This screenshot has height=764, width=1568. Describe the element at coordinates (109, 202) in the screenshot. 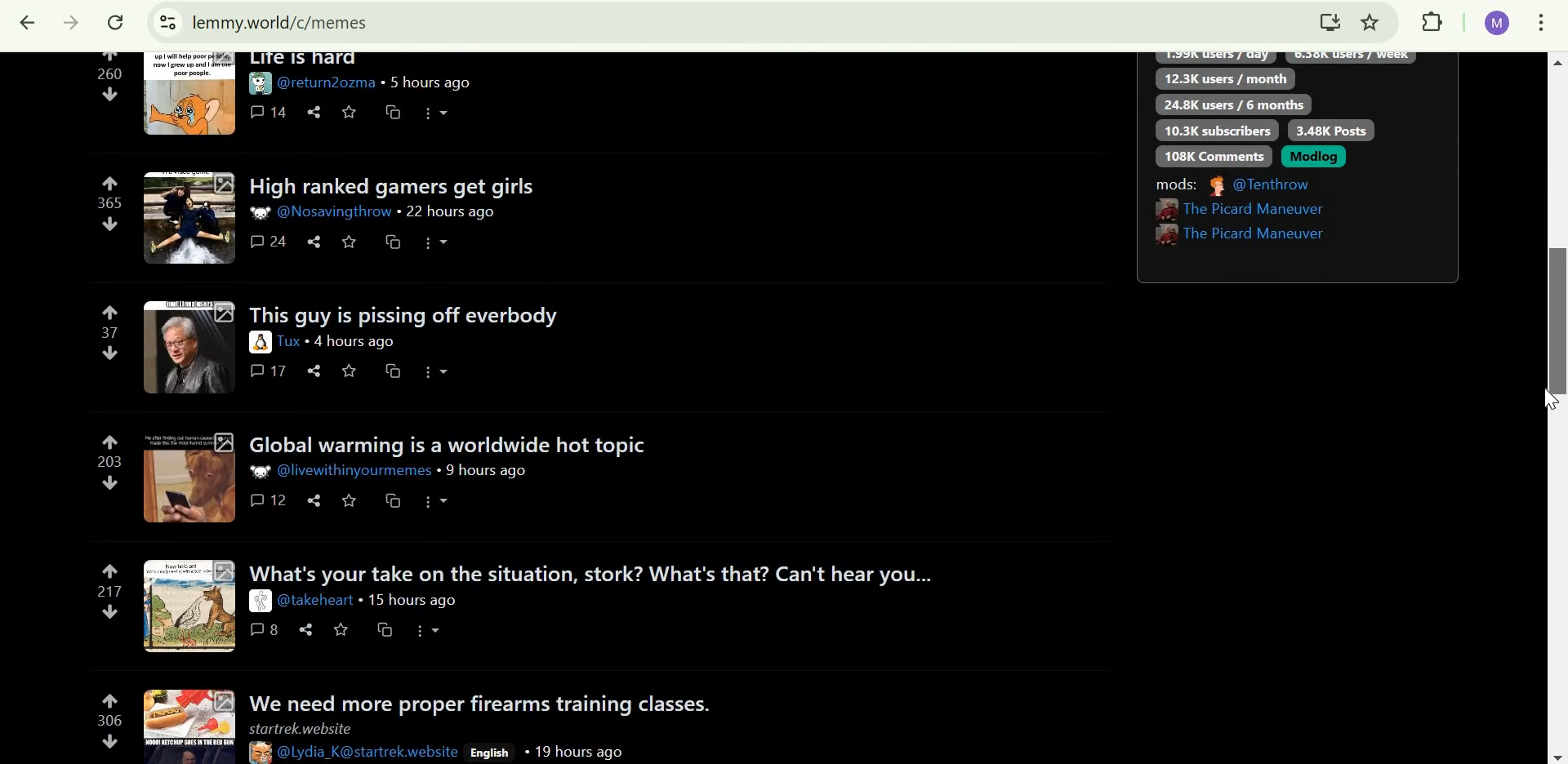

I see `365 points` at that location.